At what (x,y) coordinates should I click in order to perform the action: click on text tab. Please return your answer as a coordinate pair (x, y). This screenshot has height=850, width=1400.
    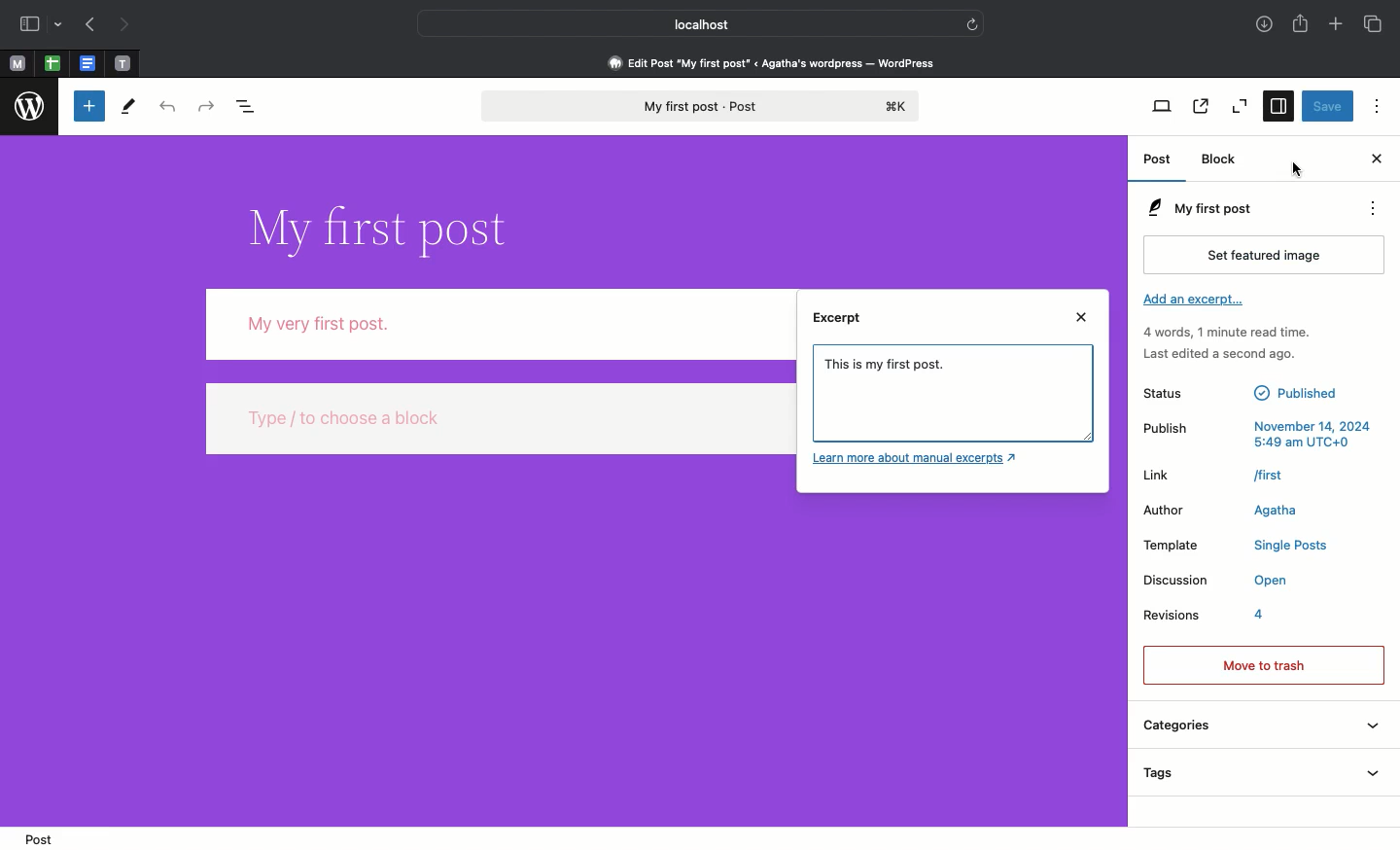
    Looking at the image, I should click on (122, 59).